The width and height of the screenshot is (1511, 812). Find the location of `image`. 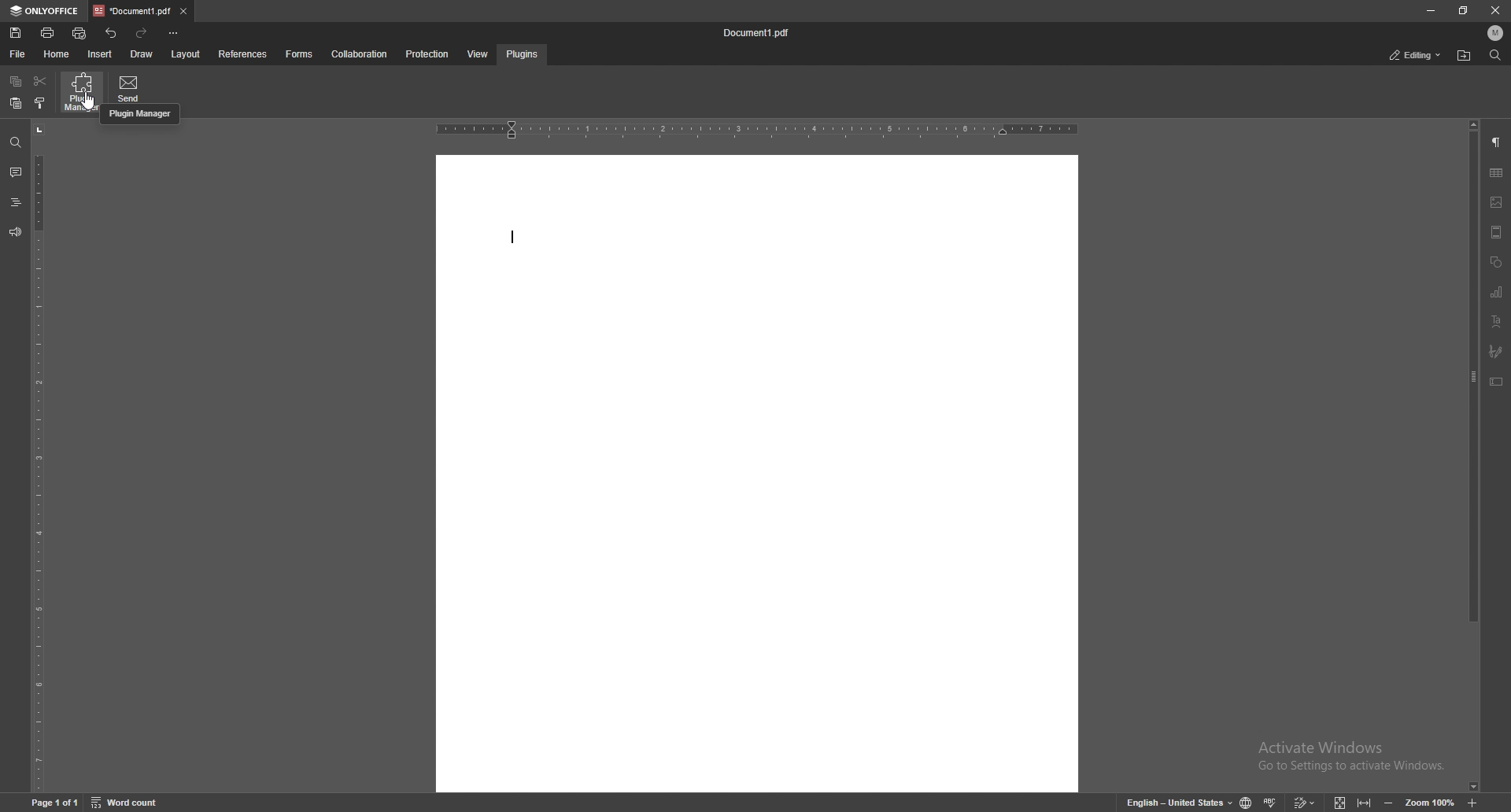

image is located at coordinates (1497, 203).